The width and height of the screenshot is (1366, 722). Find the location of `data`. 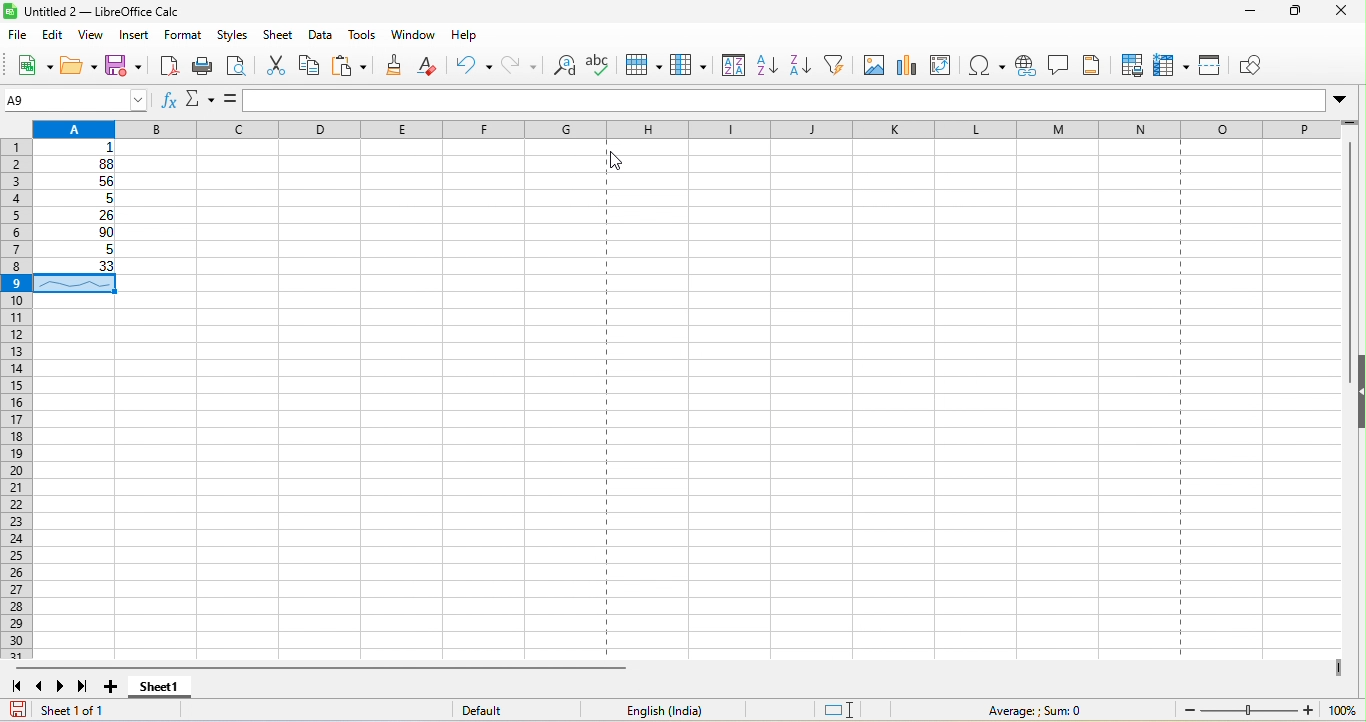

data is located at coordinates (322, 36).